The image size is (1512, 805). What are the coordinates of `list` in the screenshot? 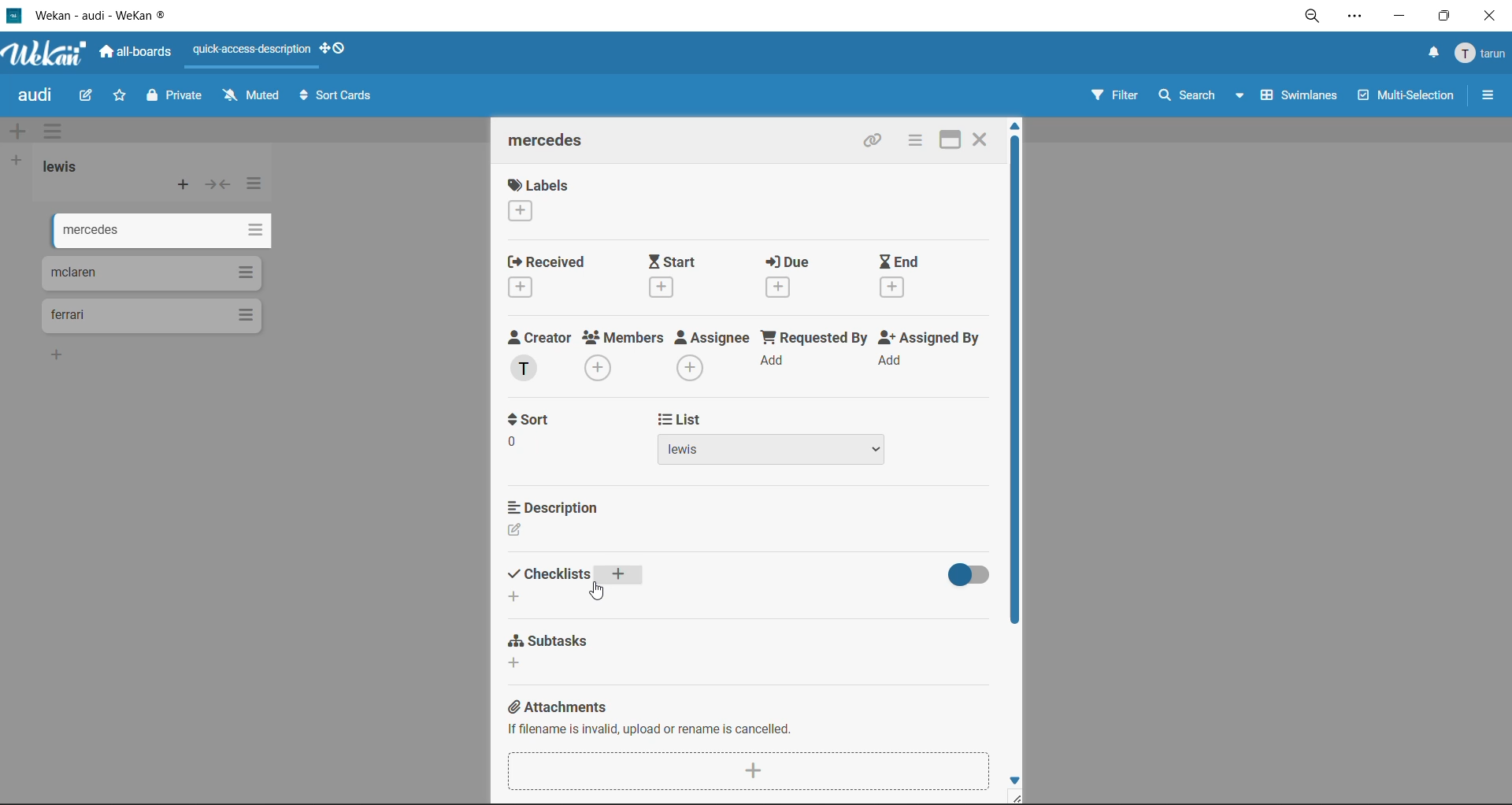 It's located at (769, 451).